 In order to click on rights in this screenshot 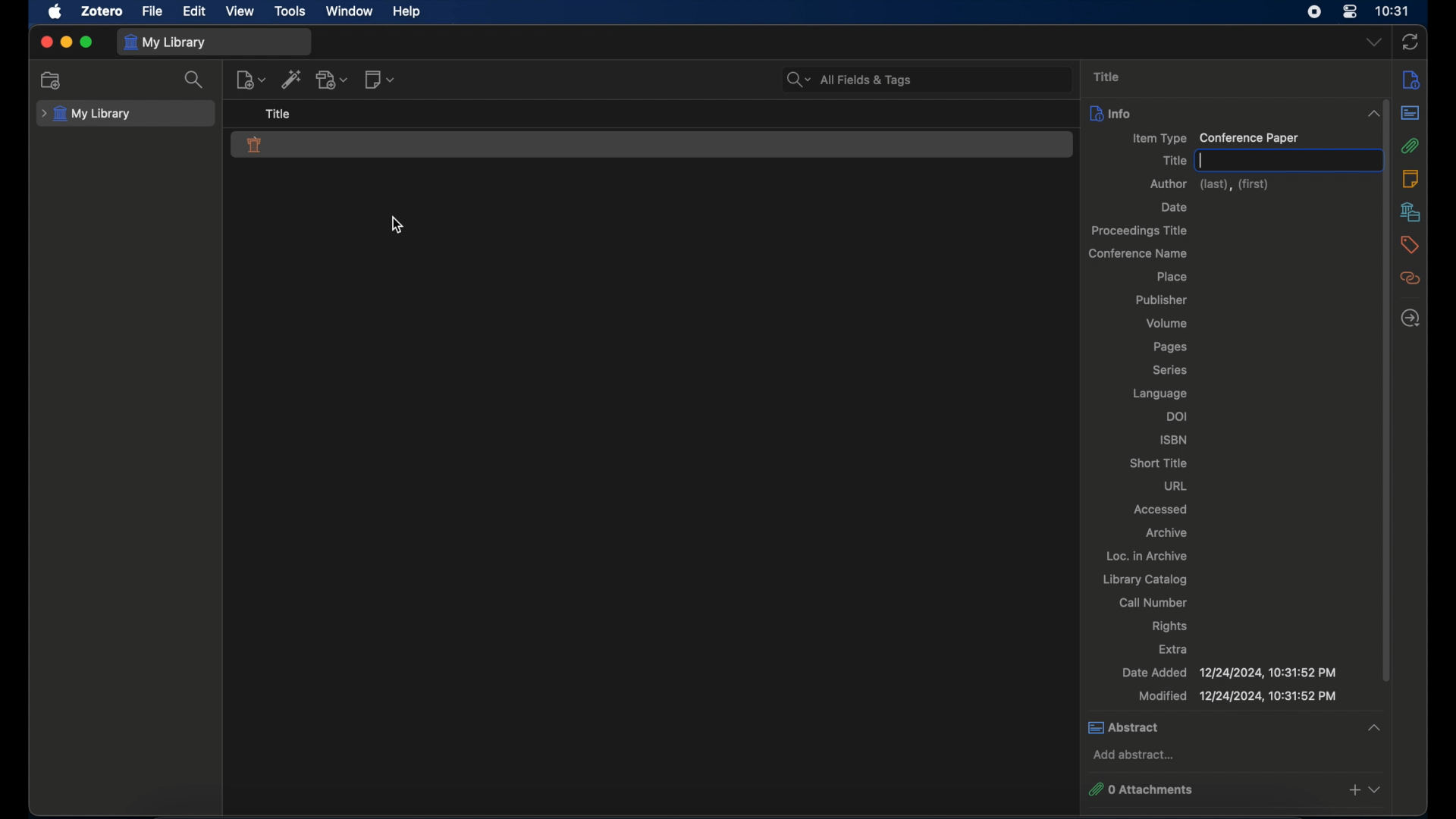, I will do `click(1170, 626)`.